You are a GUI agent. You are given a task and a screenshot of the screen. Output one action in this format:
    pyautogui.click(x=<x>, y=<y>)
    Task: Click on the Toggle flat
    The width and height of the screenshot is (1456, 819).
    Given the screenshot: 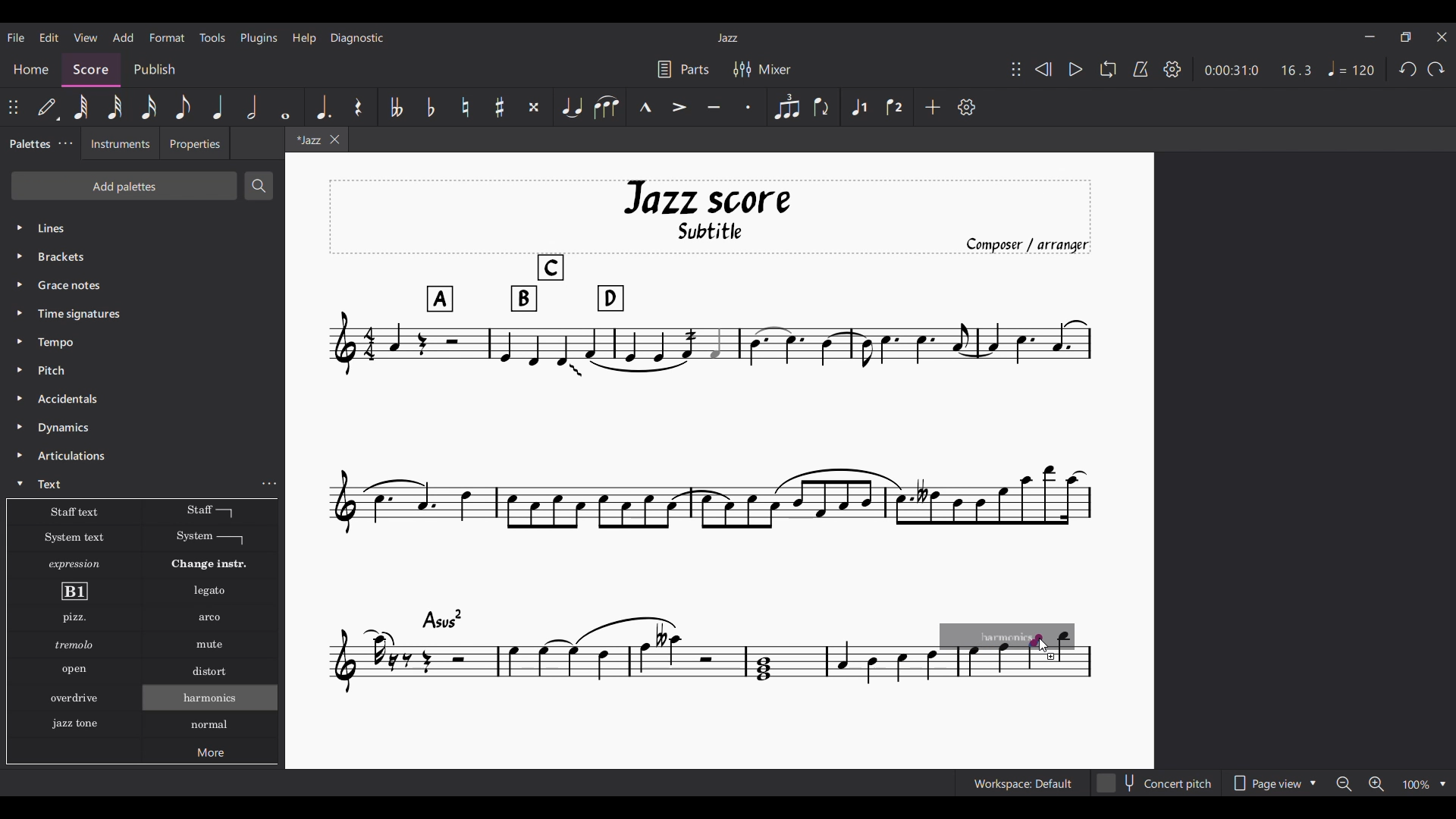 What is the action you would take?
    pyautogui.click(x=431, y=107)
    